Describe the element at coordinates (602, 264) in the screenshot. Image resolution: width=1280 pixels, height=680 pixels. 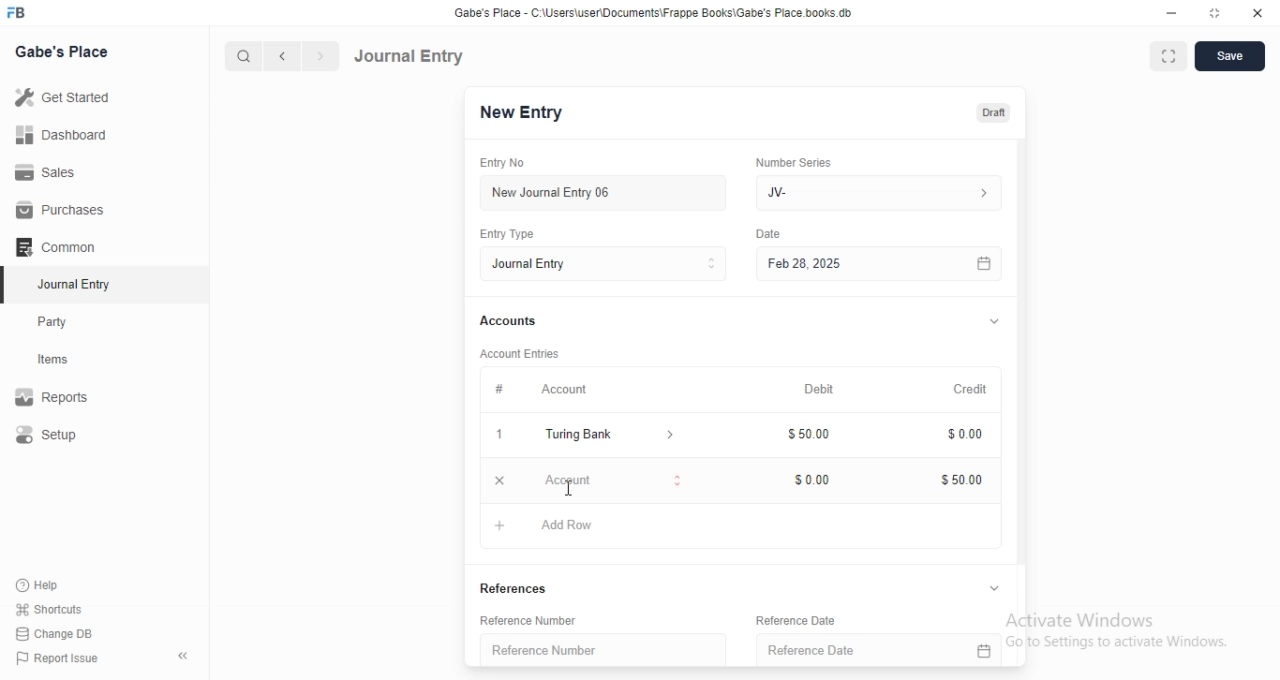
I see `Entry Type` at that location.